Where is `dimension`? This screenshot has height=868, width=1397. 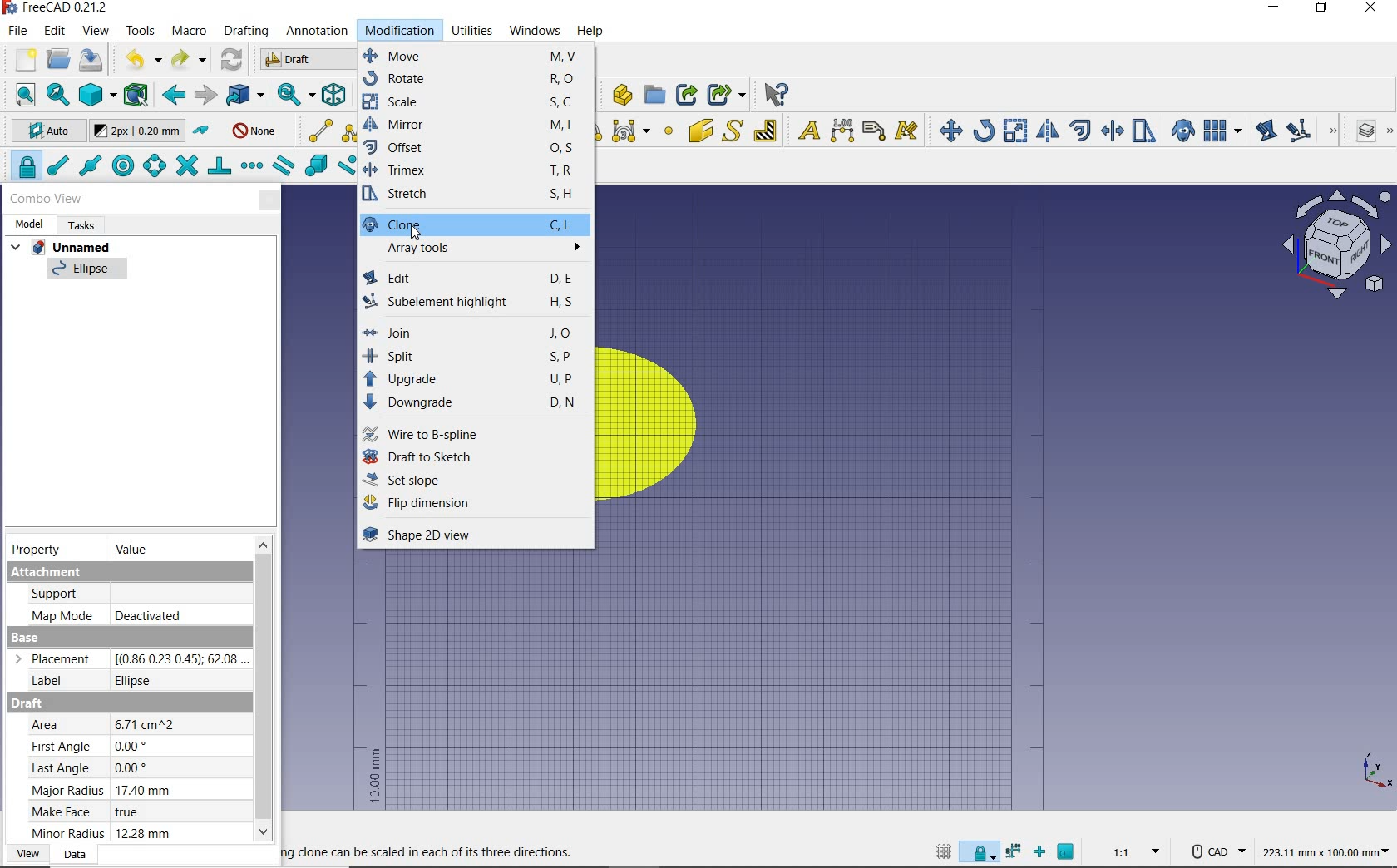 dimension is located at coordinates (1325, 856).